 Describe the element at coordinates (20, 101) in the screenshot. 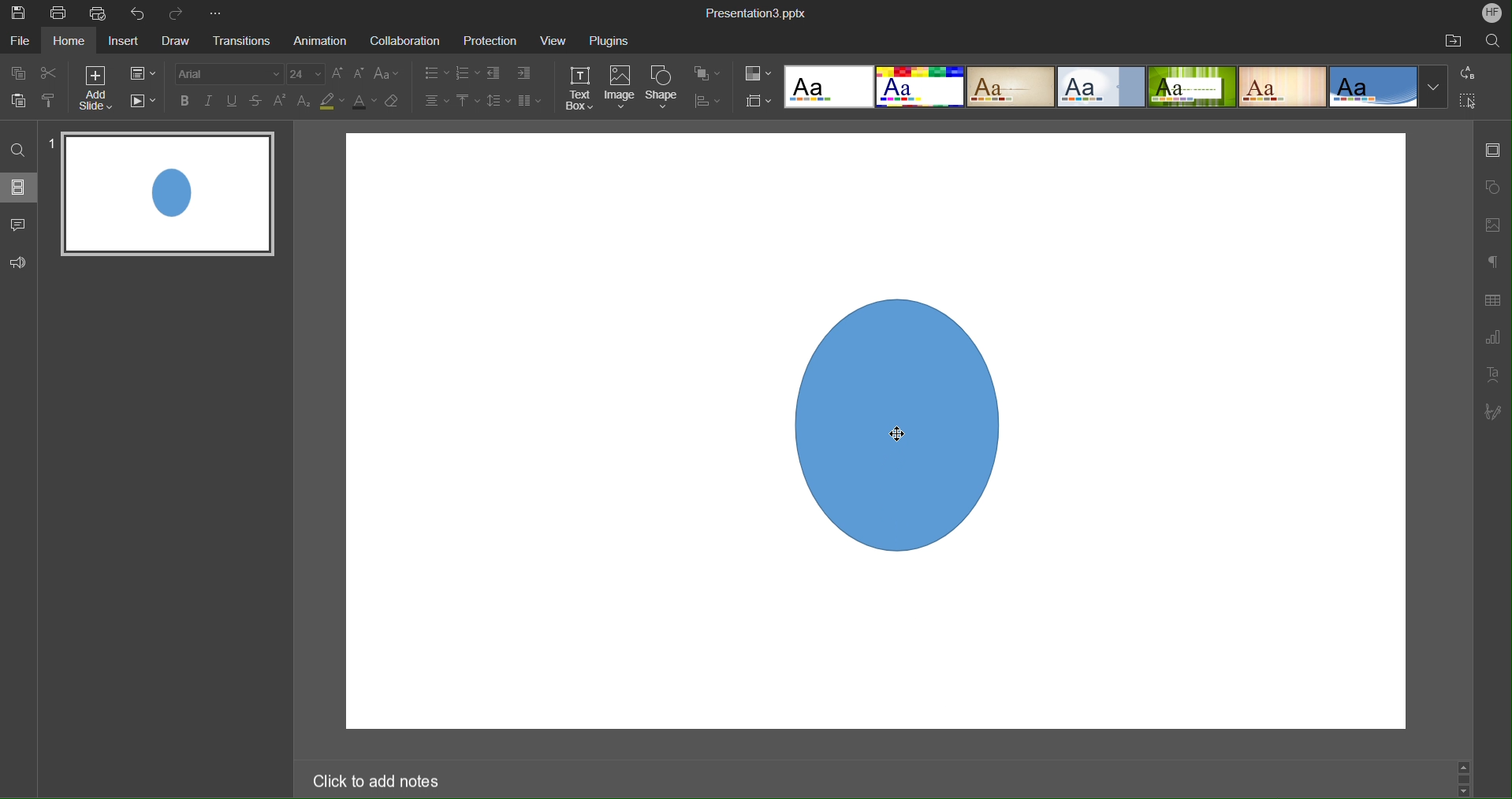

I see `Paste` at that location.